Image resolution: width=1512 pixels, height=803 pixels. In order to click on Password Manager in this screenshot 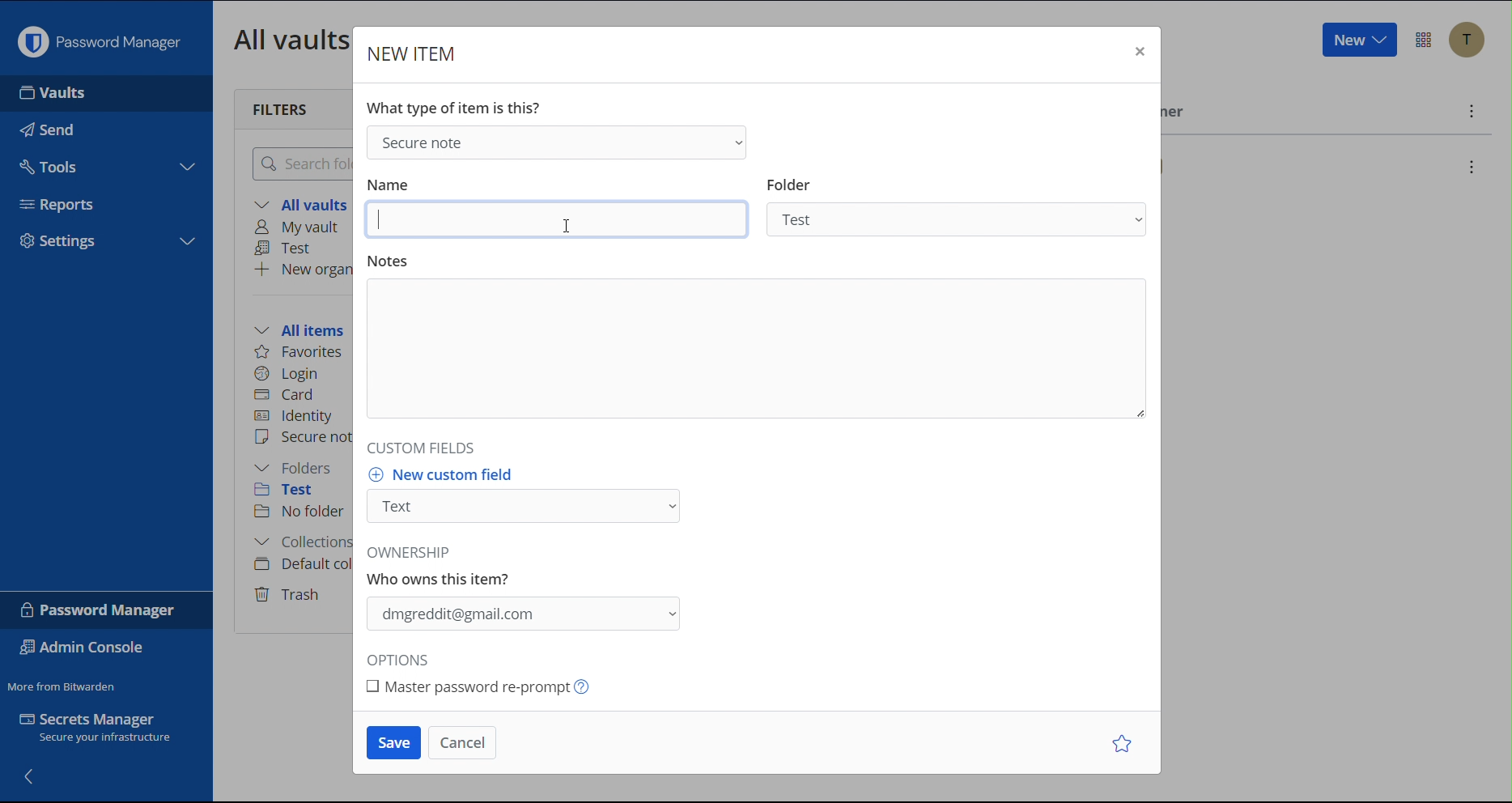, I will do `click(99, 38)`.